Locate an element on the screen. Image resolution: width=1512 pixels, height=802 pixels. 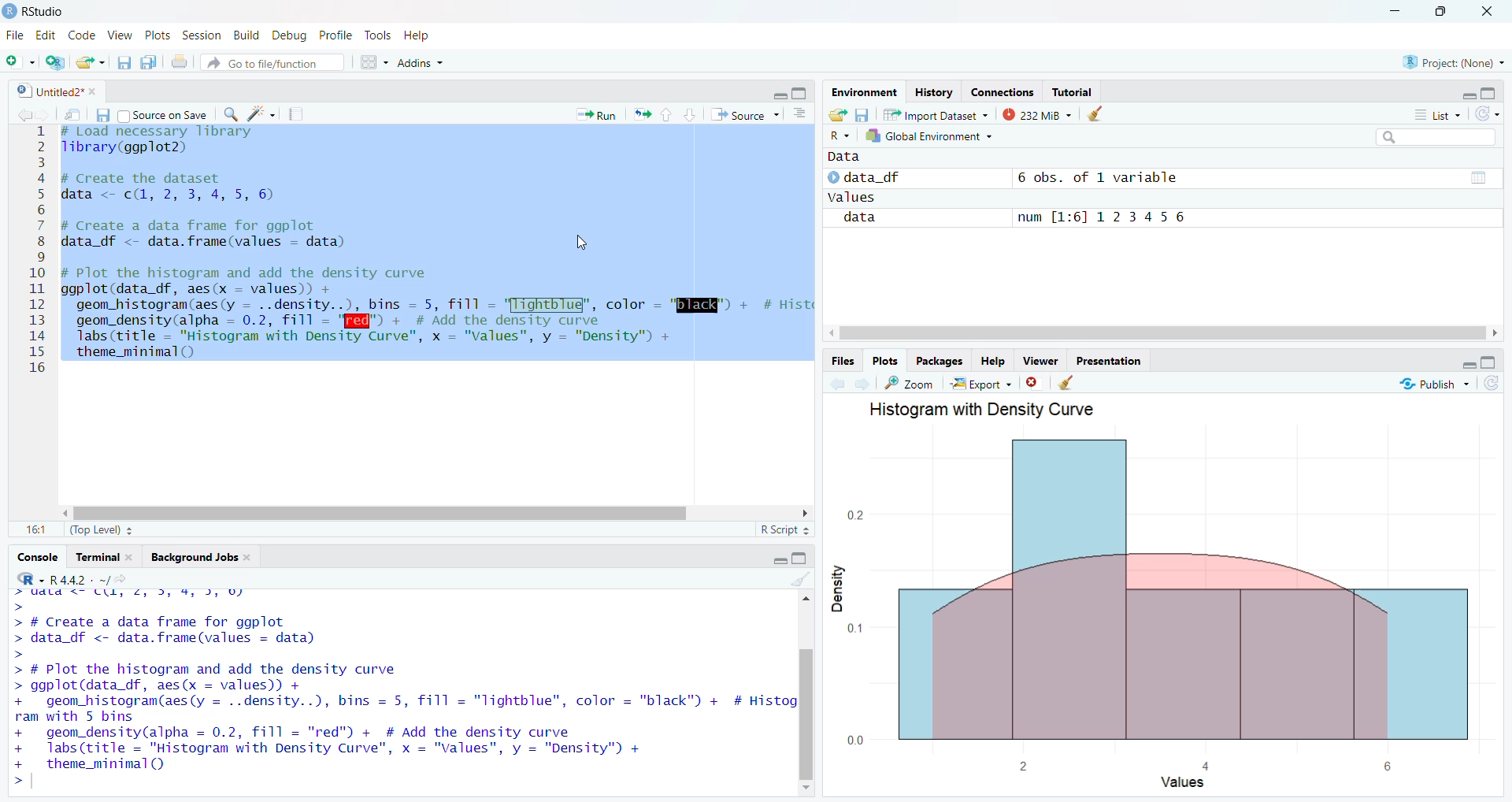
» Run is located at coordinates (600, 114).